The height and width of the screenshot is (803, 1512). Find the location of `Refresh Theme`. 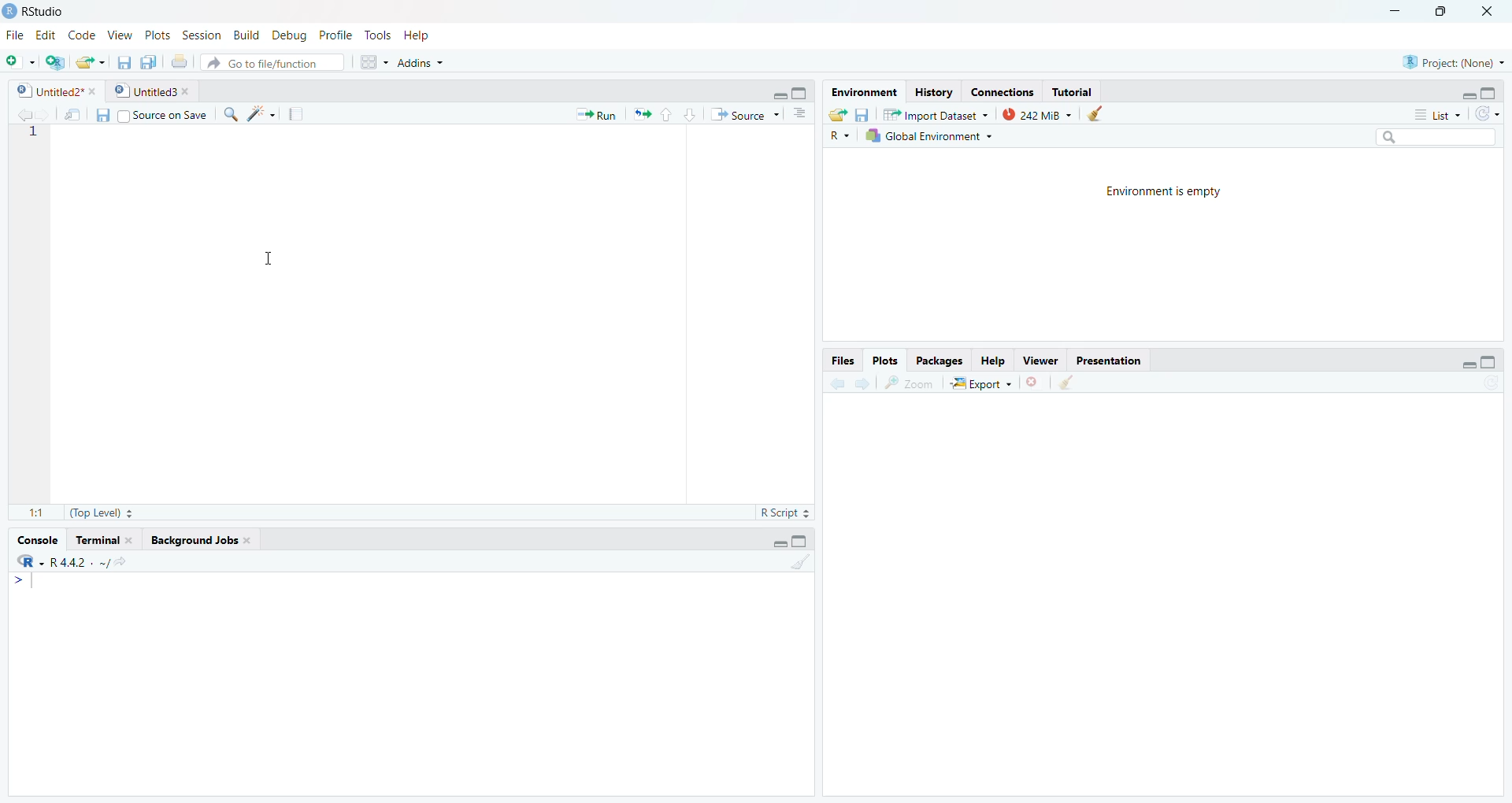

Refresh Theme is located at coordinates (1487, 113).